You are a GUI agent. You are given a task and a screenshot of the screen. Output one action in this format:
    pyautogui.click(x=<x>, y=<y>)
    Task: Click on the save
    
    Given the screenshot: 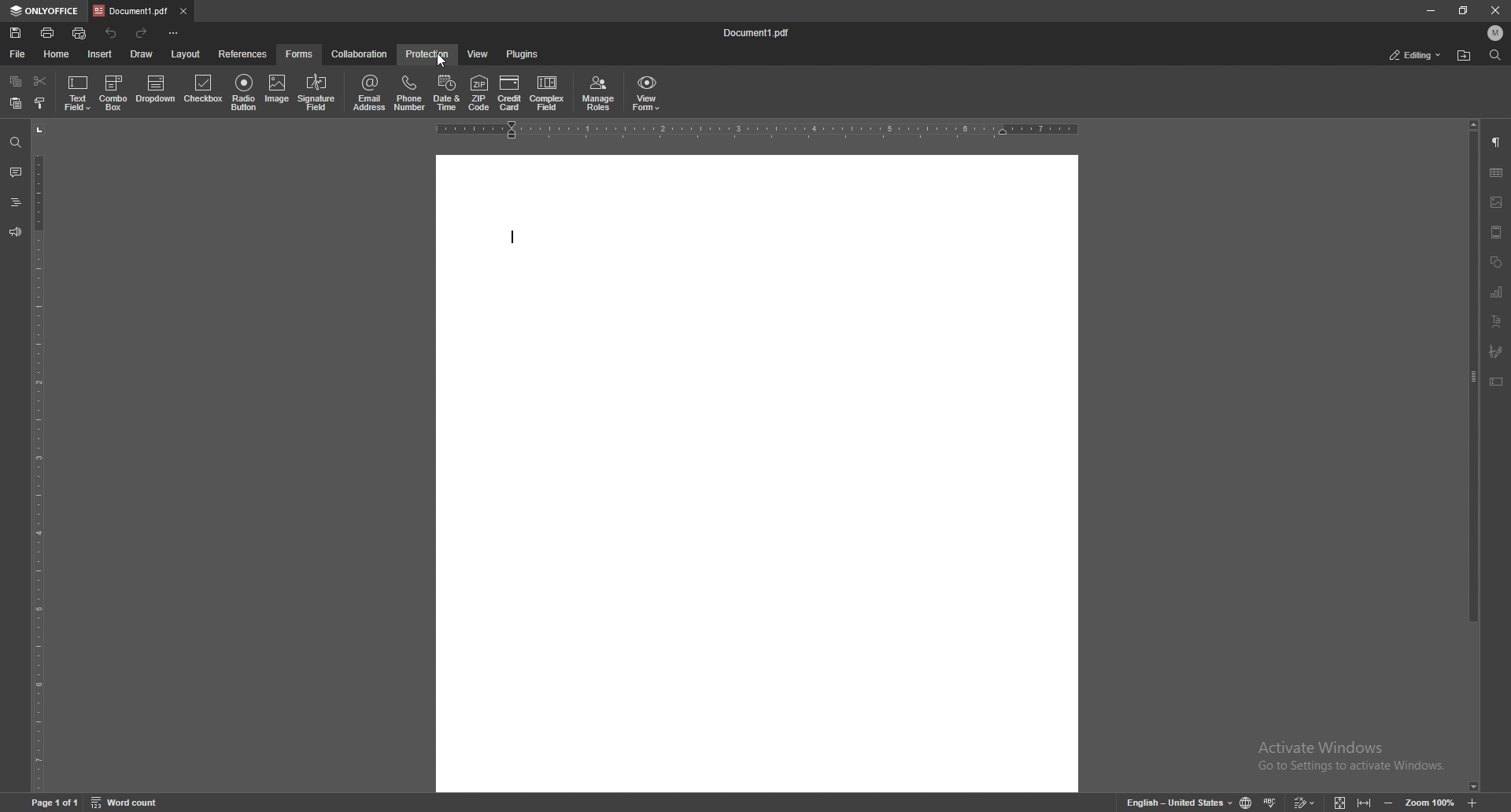 What is the action you would take?
    pyautogui.click(x=16, y=33)
    